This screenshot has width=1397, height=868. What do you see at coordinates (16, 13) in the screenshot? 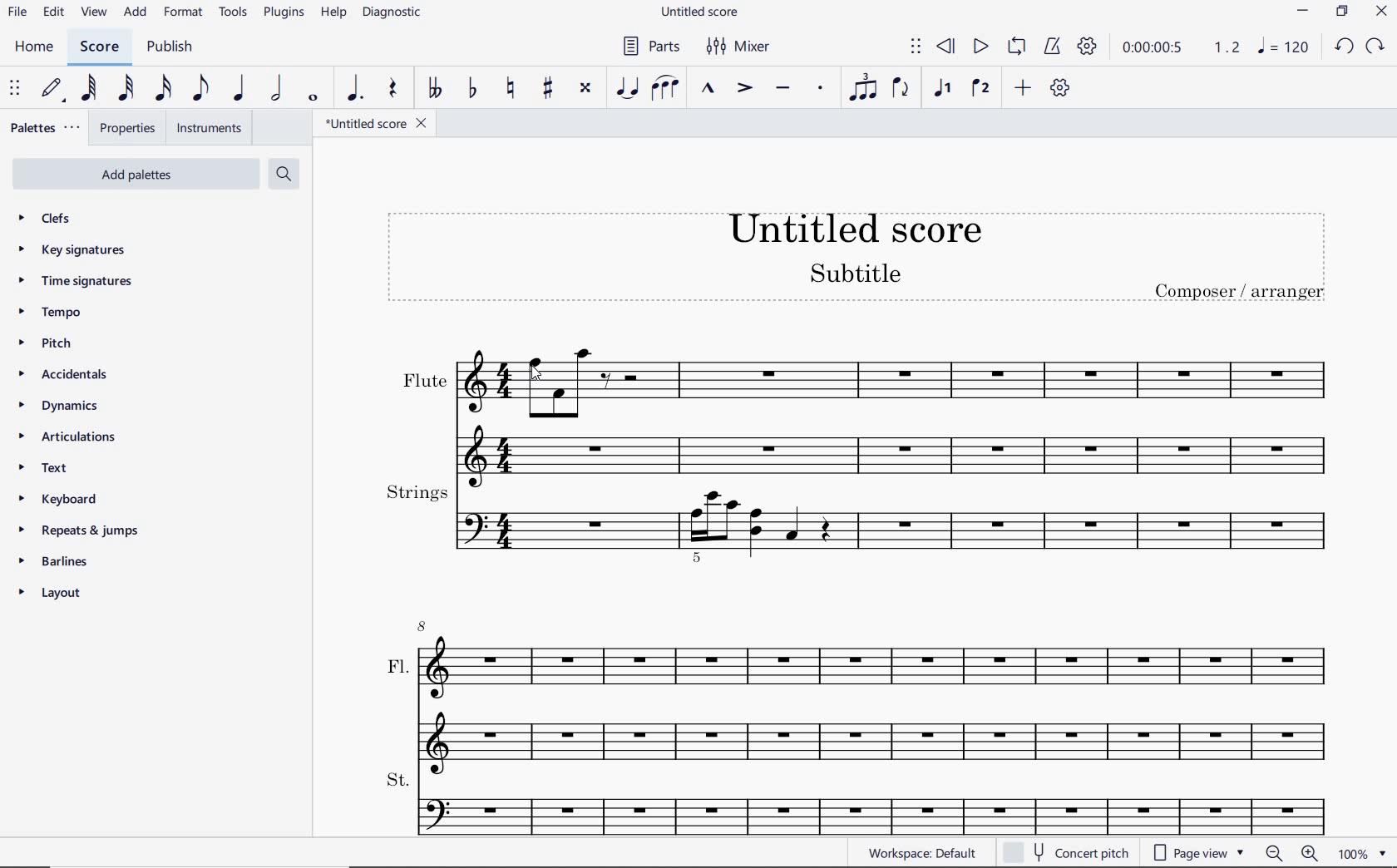
I see `file` at bounding box center [16, 13].